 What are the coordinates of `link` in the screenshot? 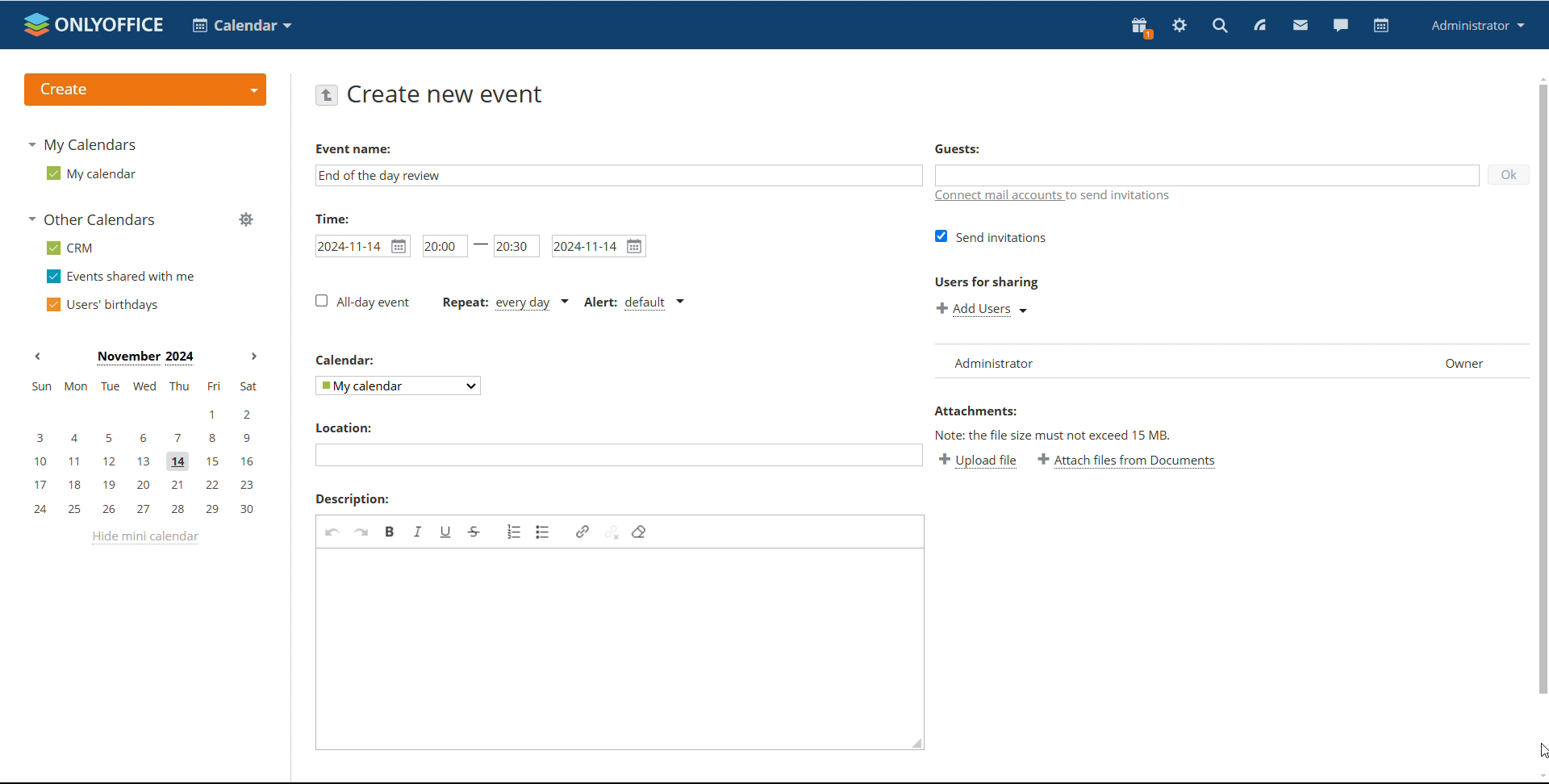 It's located at (582, 532).